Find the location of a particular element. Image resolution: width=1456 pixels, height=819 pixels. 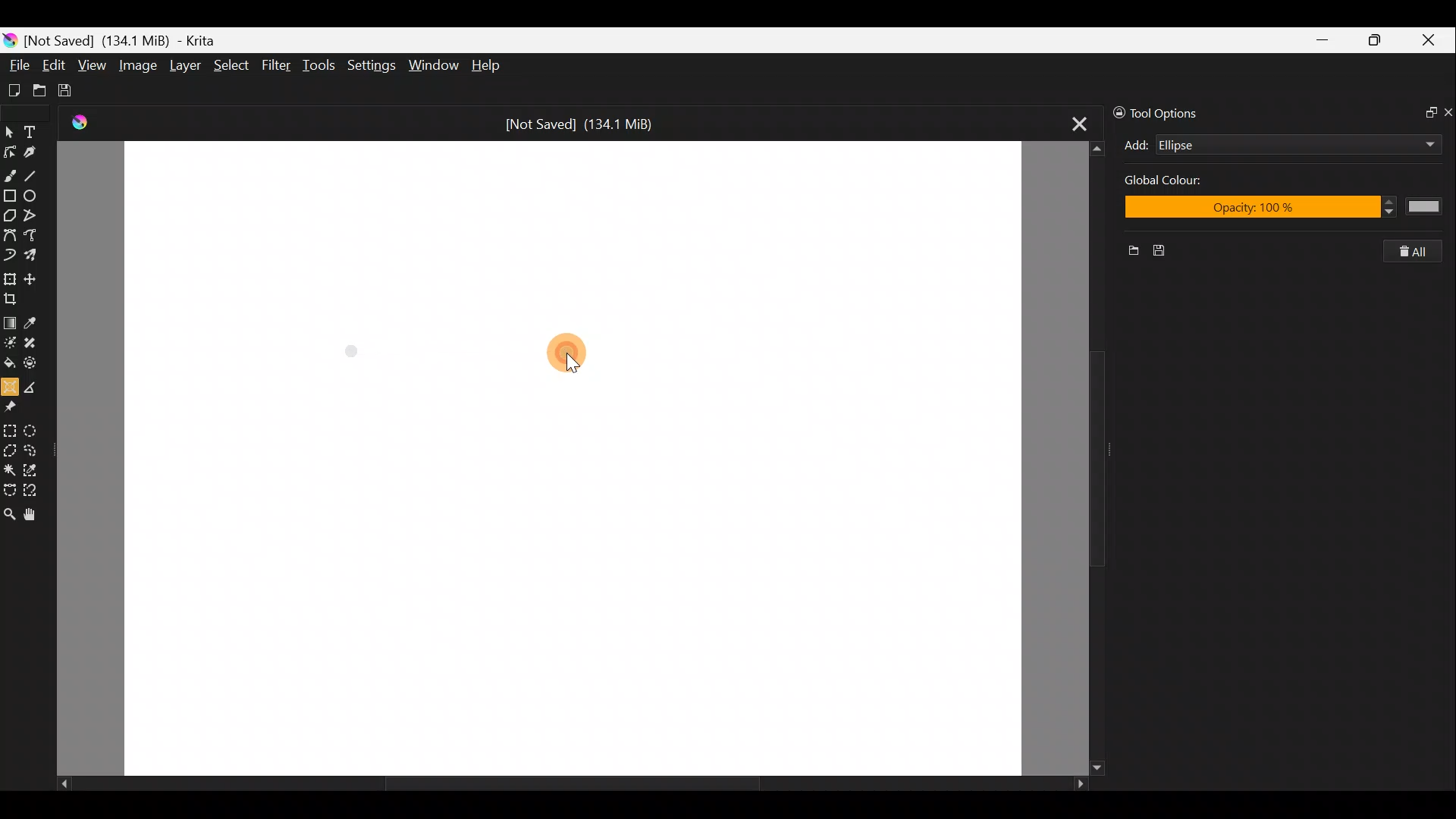

Cursor on canvas is located at coordinates (575, 356).